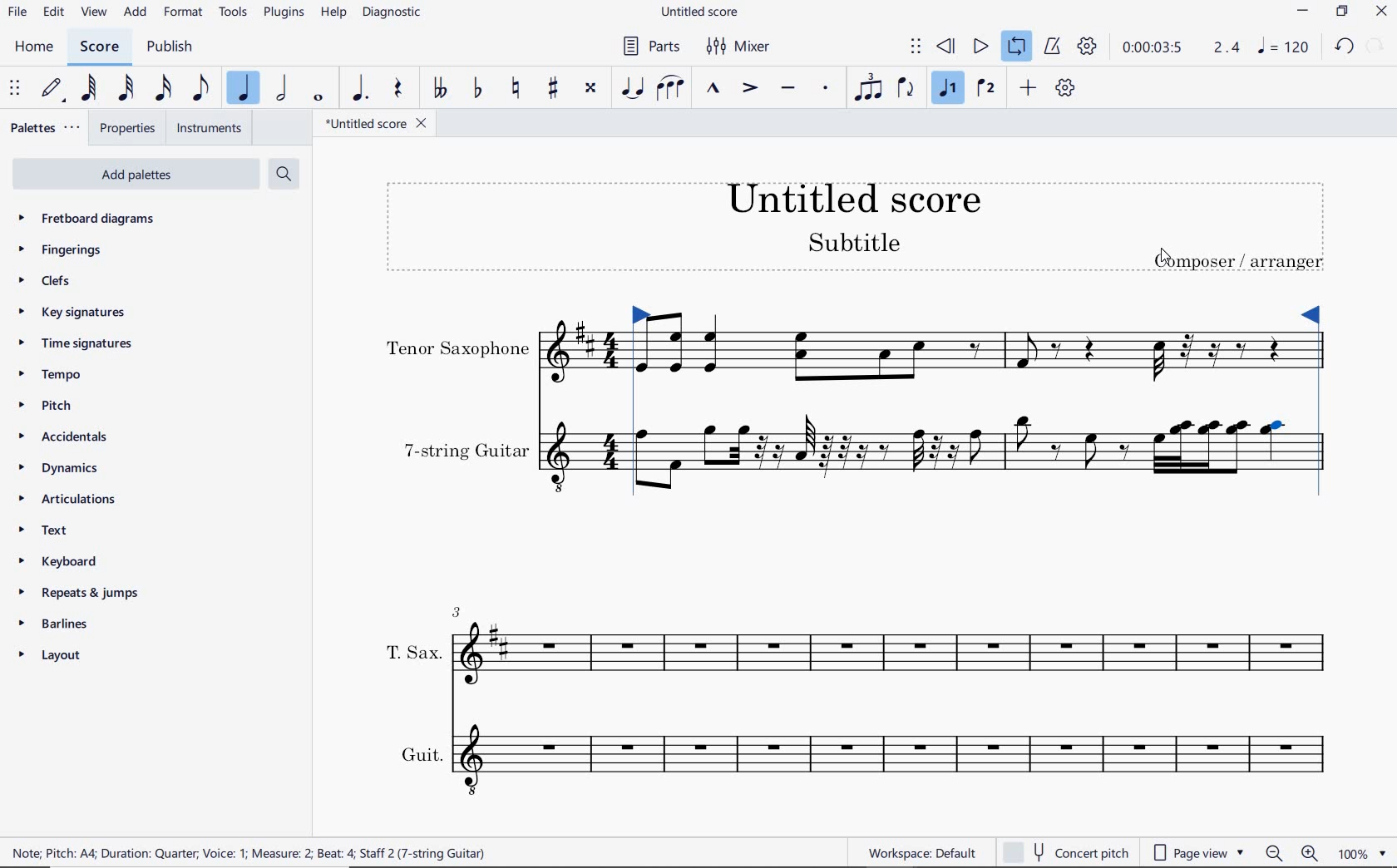 The image size is (1397, 868). Describe the element at coordinates (88, 218) in the screenshot. I see `FRETBOARD DIAGRAMS` at that location.